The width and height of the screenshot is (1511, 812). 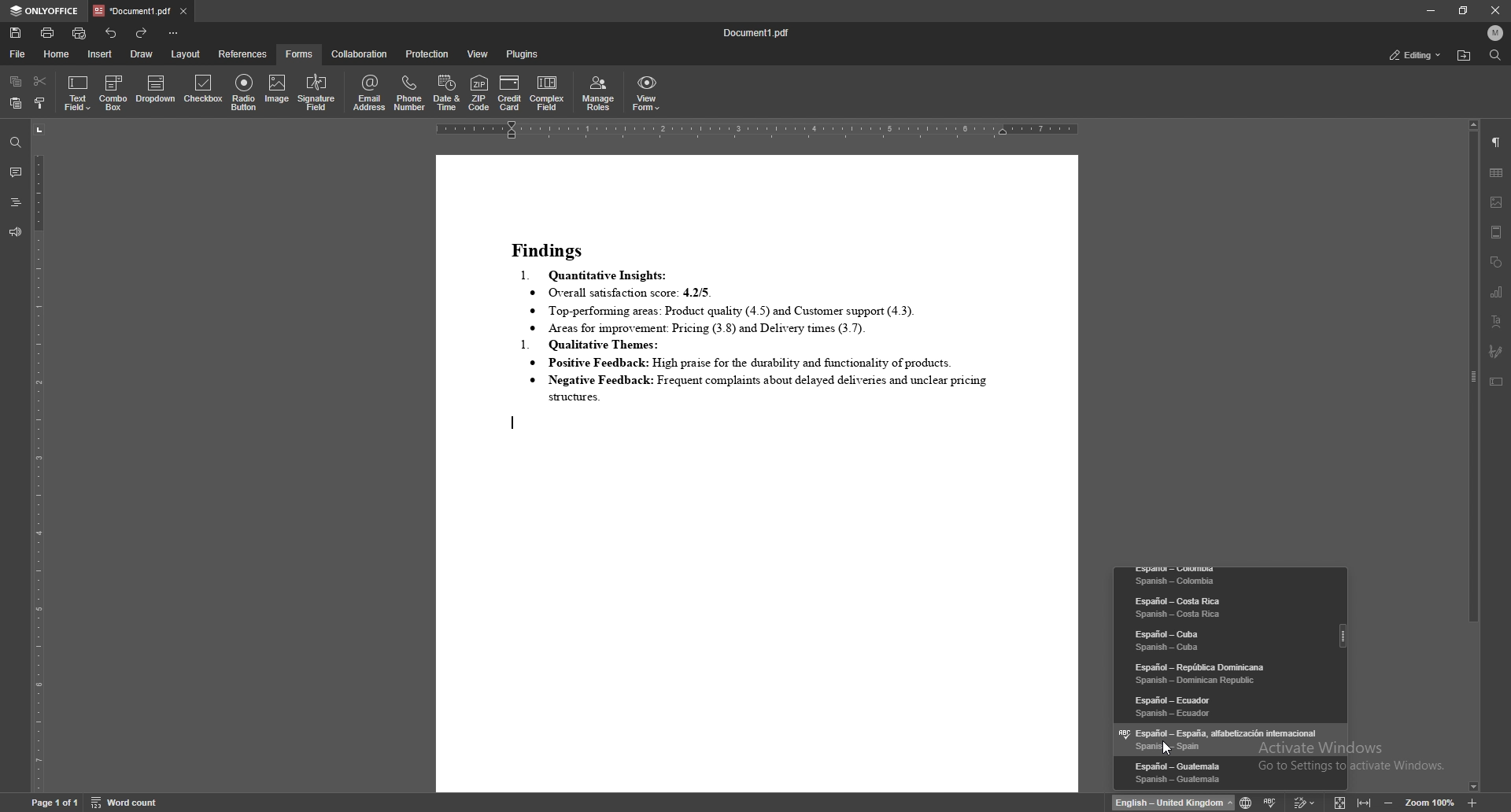 What do you see at coordinates (1472, 803) in the screenshot?
I see `zoom in` at bounding box center [1472, 803].